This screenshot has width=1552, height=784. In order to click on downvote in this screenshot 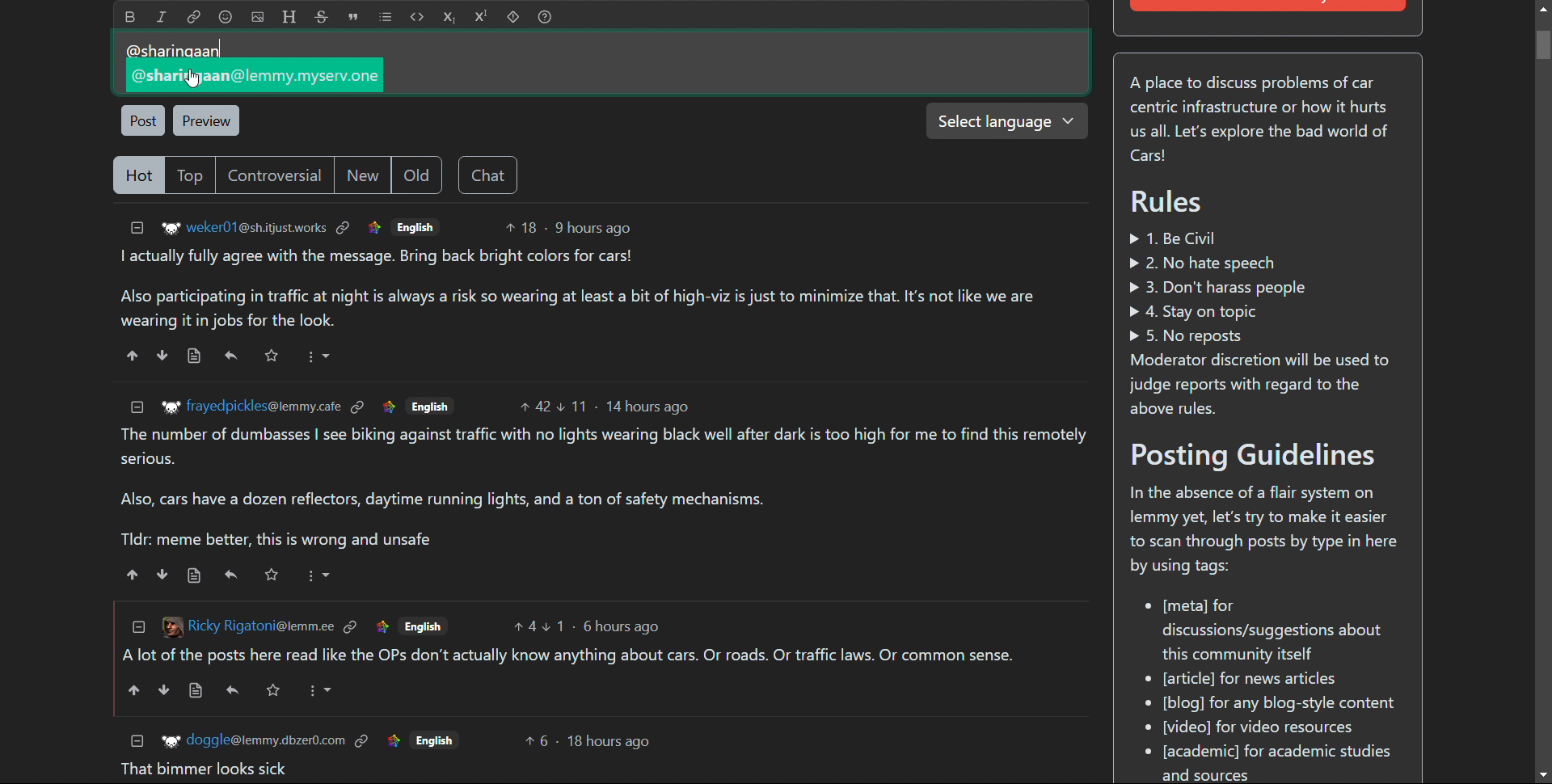, I will do `click(163, 690)`.